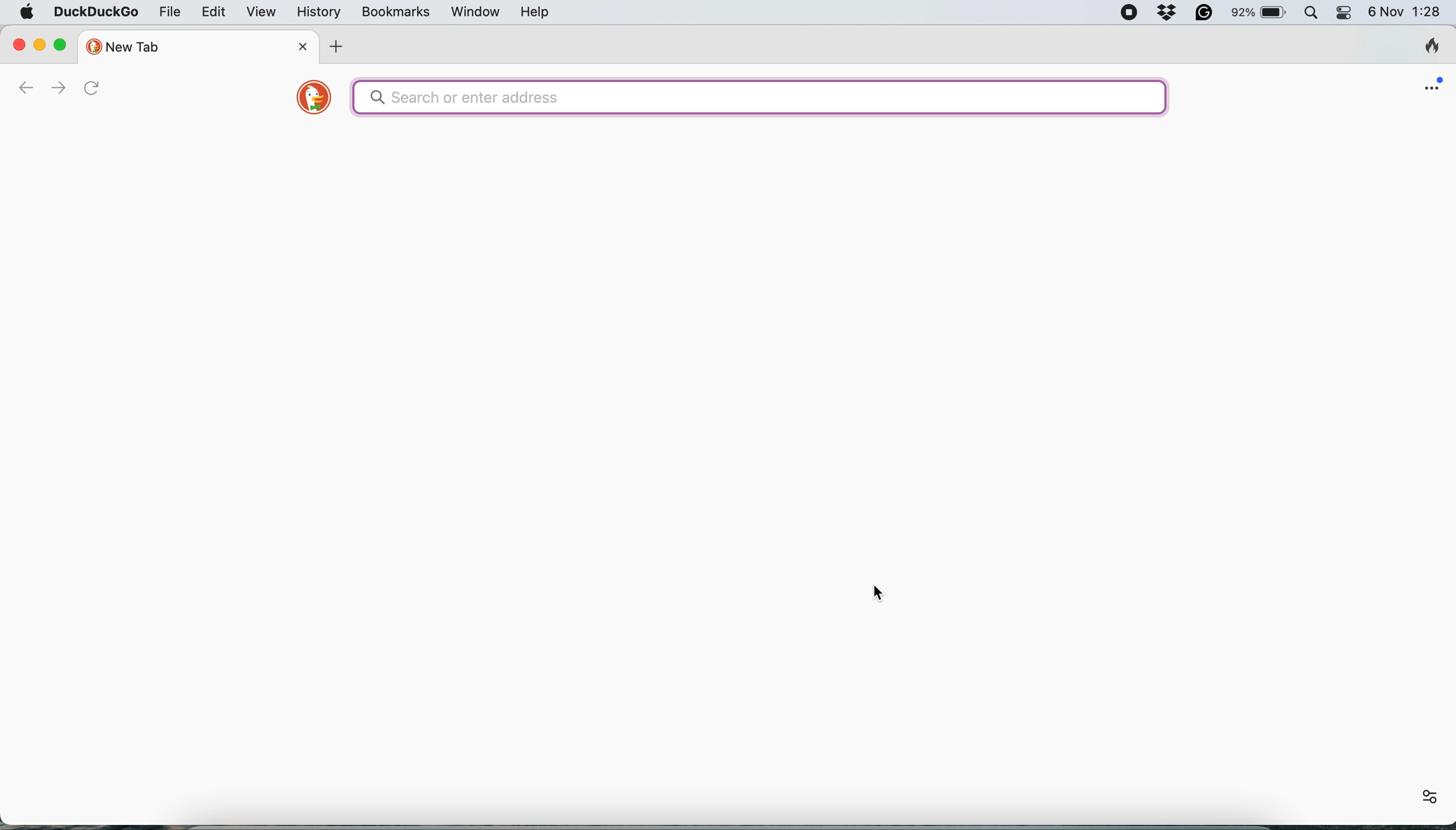 The width and height of the screenshot is (1456, 830). What do you see at coordinates (39, 43) in the screenshot?
I see `minimise` at bounding box center [39, 43].